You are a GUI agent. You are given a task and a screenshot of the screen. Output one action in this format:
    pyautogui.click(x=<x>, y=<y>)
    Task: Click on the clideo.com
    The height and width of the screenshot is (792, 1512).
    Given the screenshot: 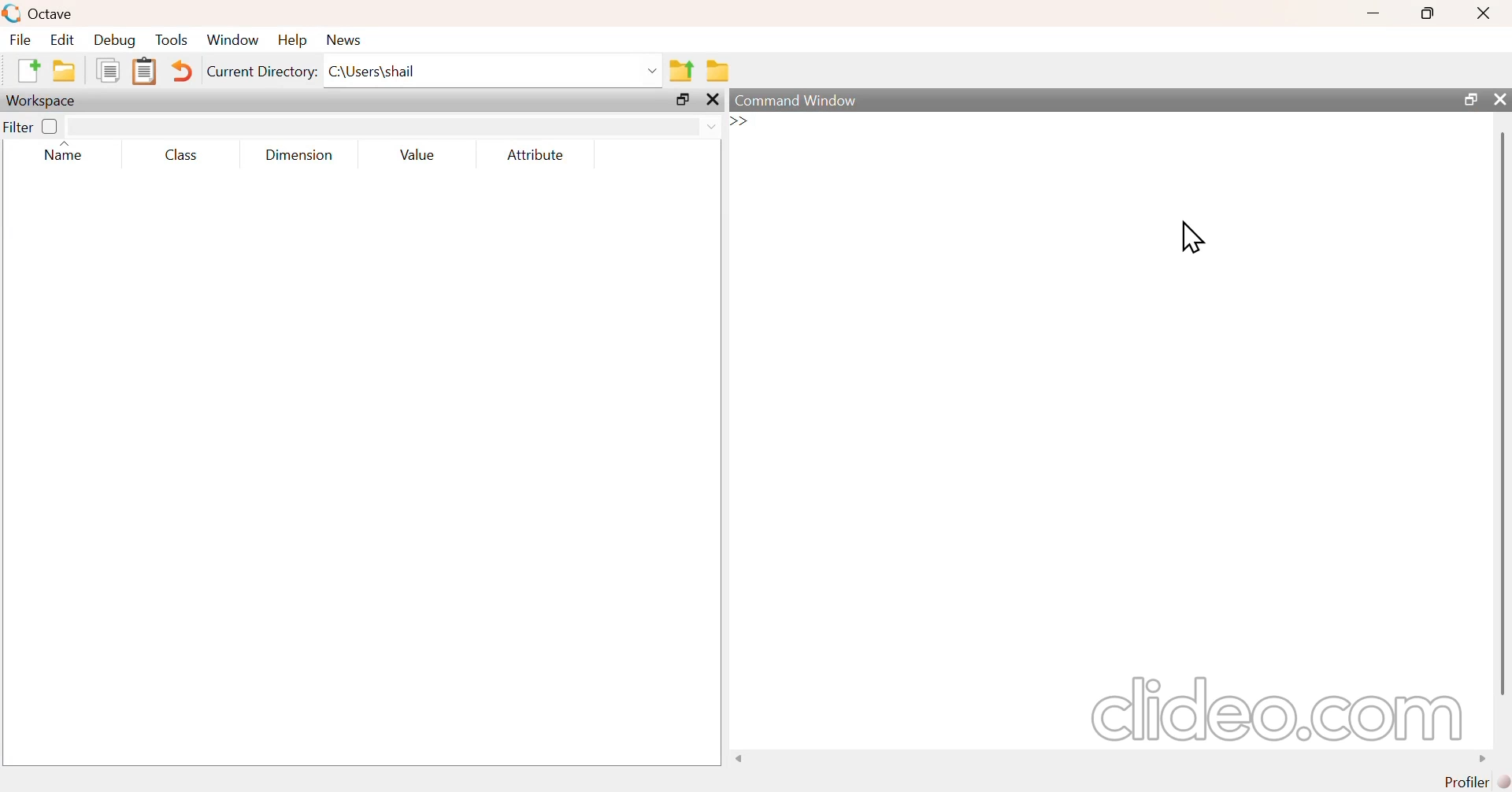 What is the action you would take?
    pyautogui.click(x=1269, y=709)
    